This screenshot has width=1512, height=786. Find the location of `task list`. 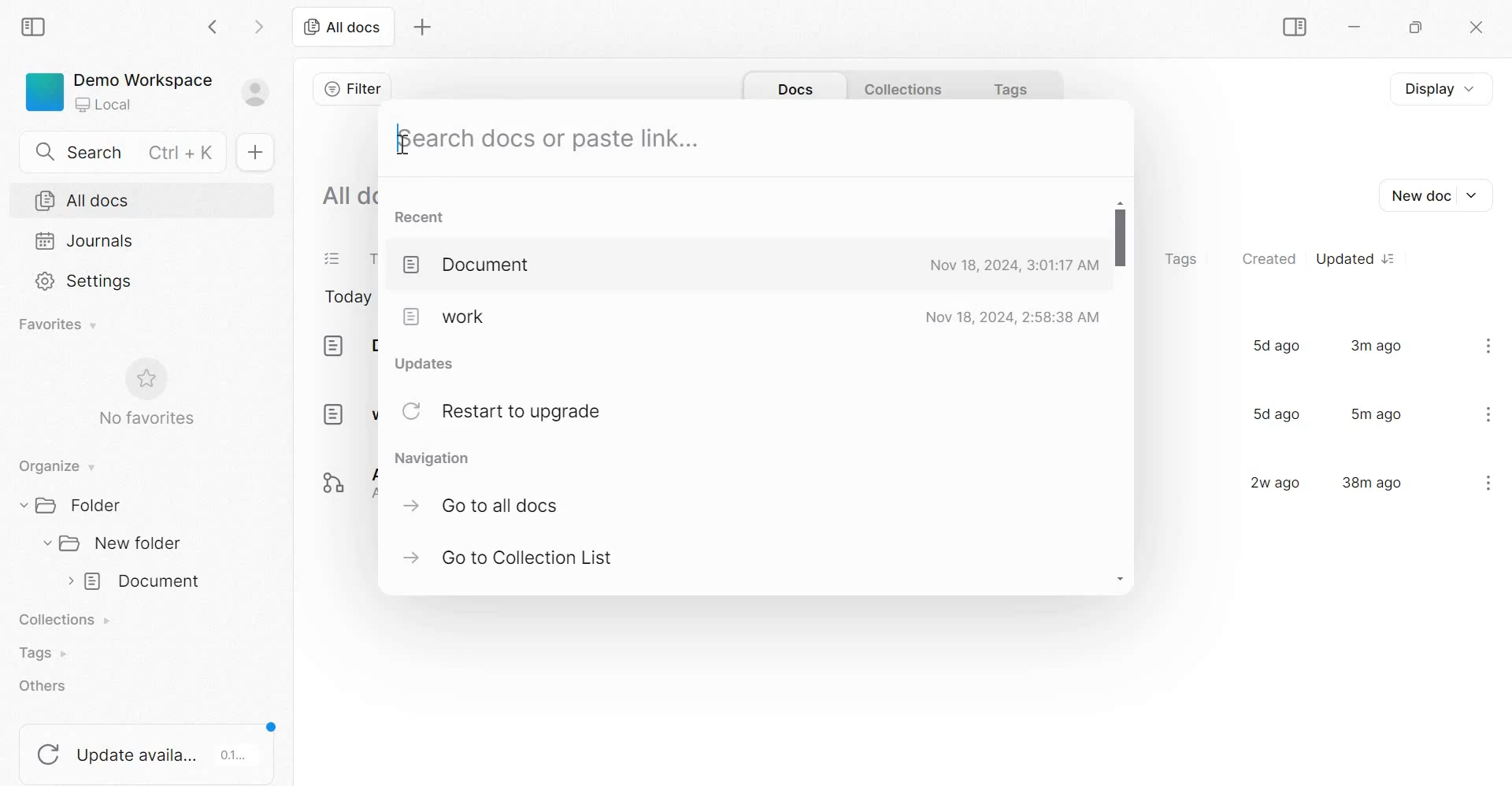

task list is located at coordinates (333, 260).